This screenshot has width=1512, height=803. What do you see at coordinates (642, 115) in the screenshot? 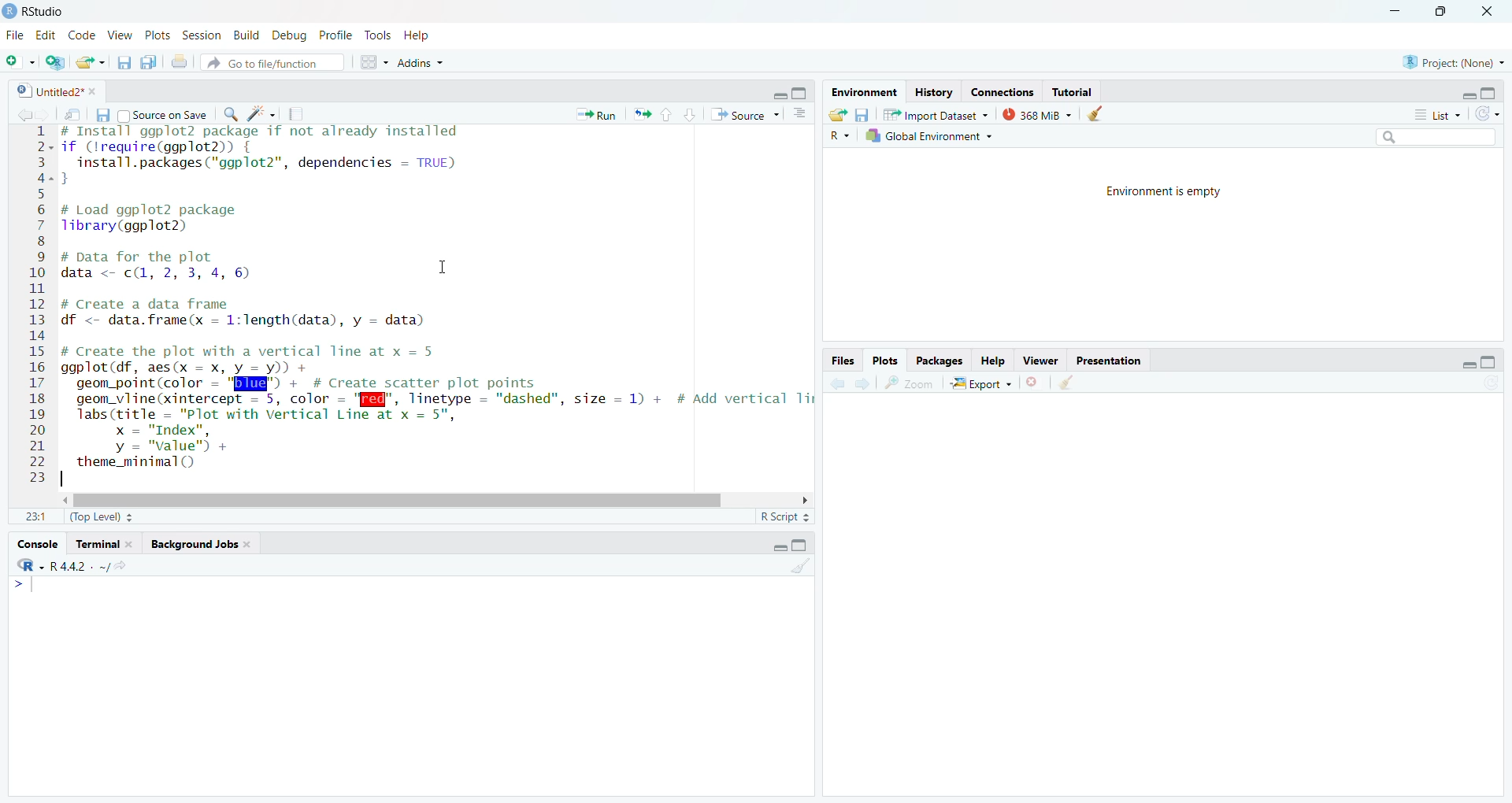
I see `export` at bounding box center [642, 115].